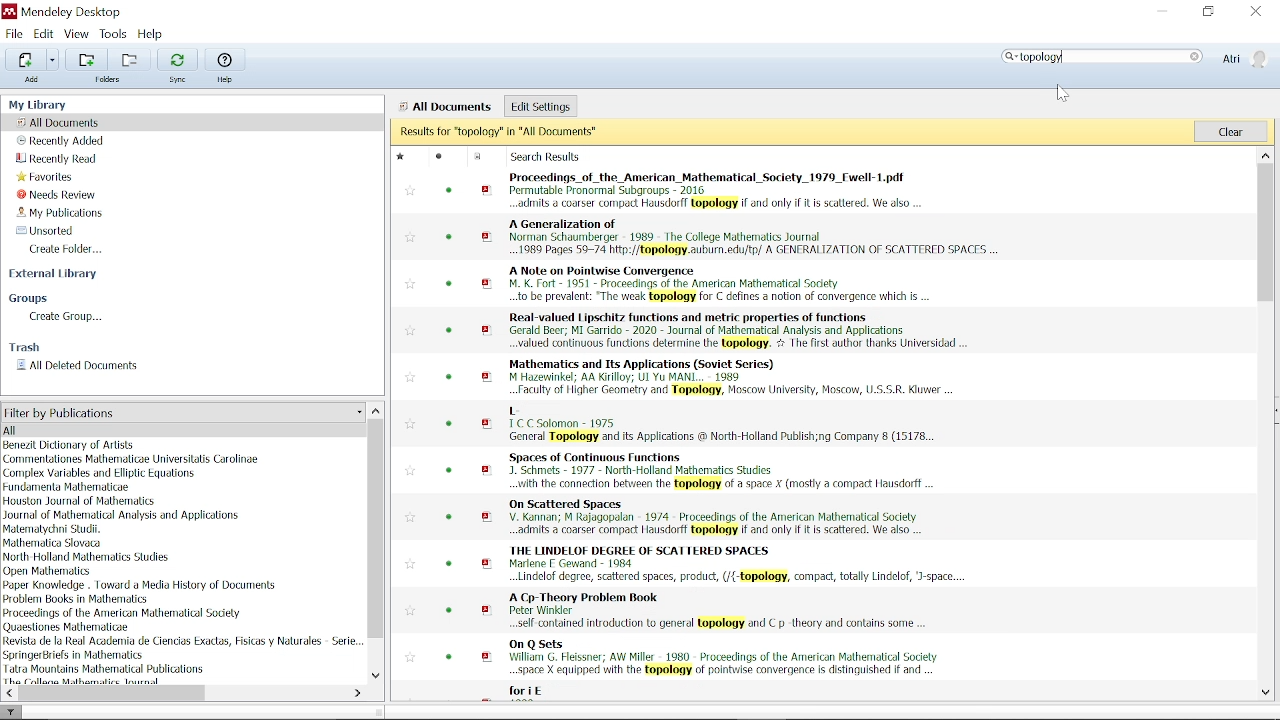  I want to click on Minimize, so click(1162, 13).